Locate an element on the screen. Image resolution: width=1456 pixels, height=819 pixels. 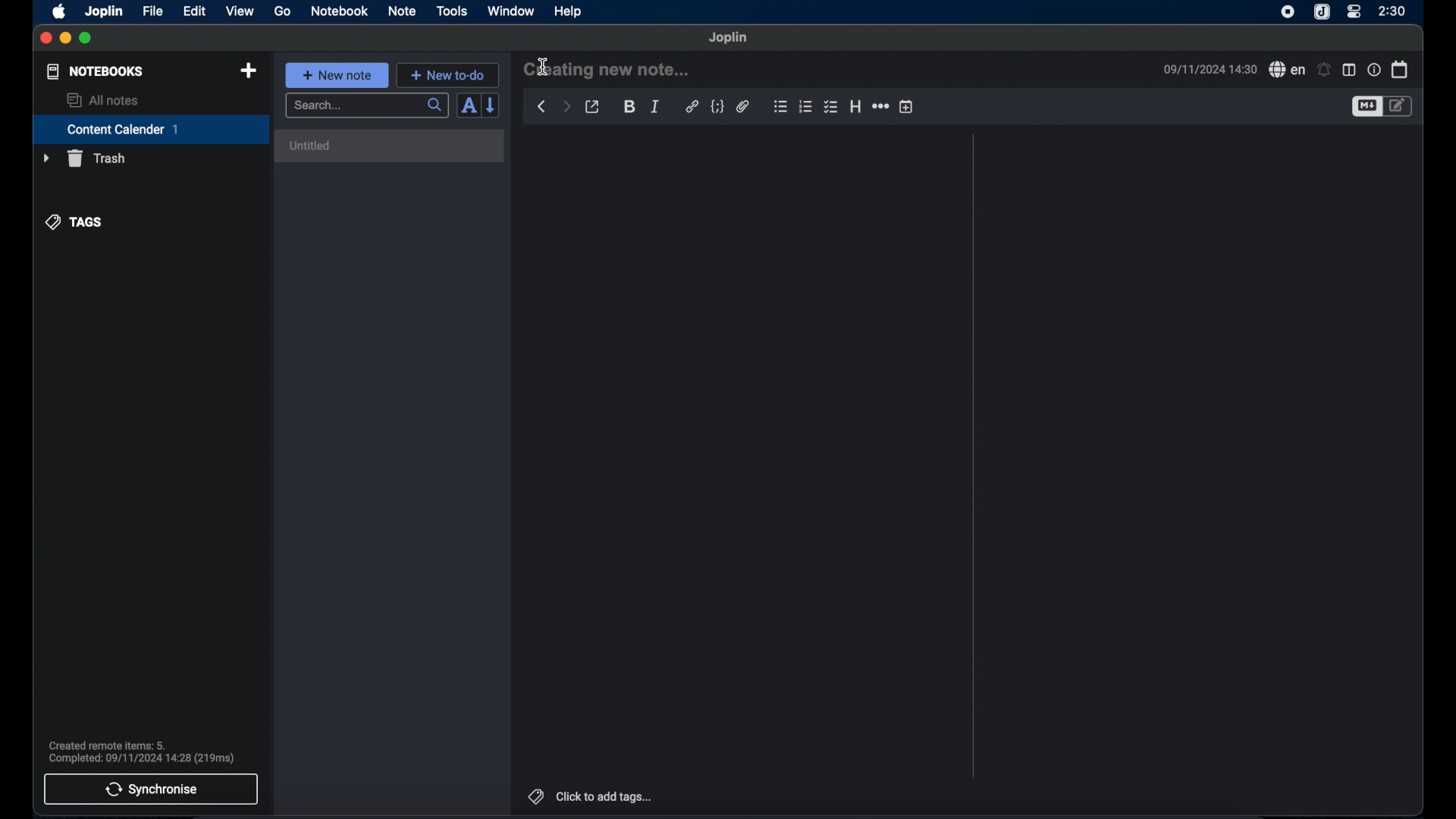
new to-do is located at coordinates (447, 75).